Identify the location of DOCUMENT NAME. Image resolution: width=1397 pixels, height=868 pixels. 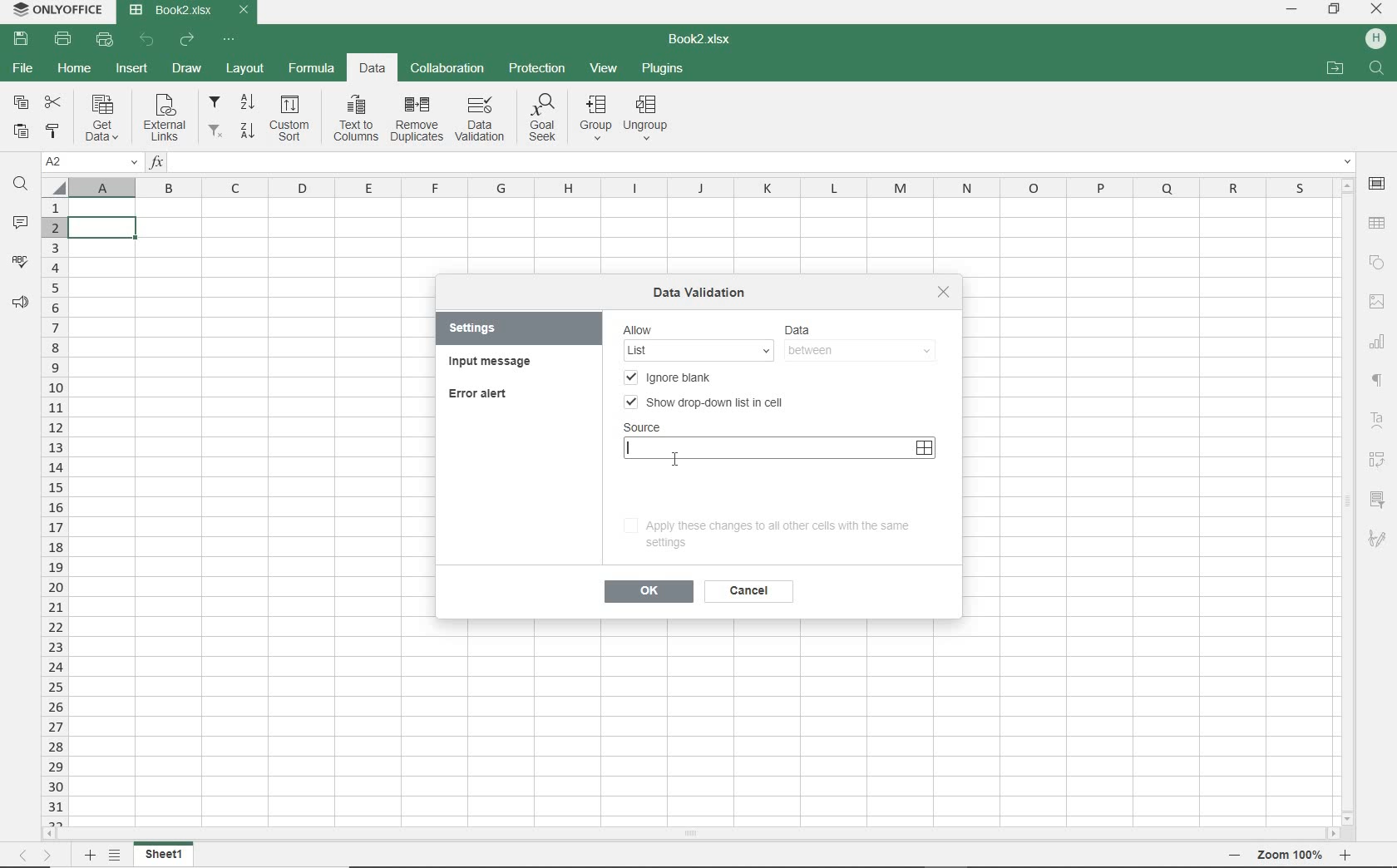
(700, 39).